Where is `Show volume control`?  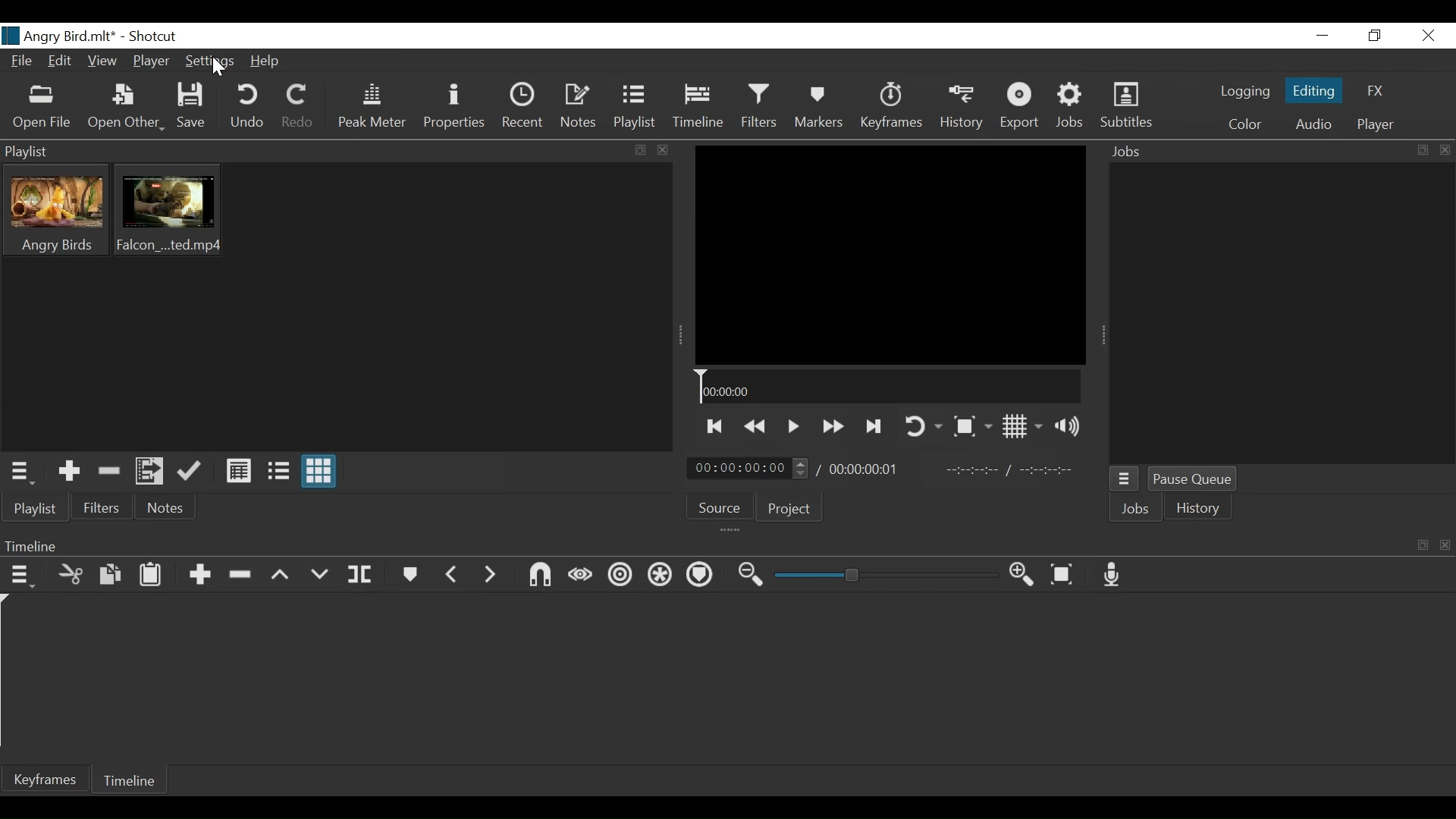 Show volume control is located at coordinates (1068, 426).